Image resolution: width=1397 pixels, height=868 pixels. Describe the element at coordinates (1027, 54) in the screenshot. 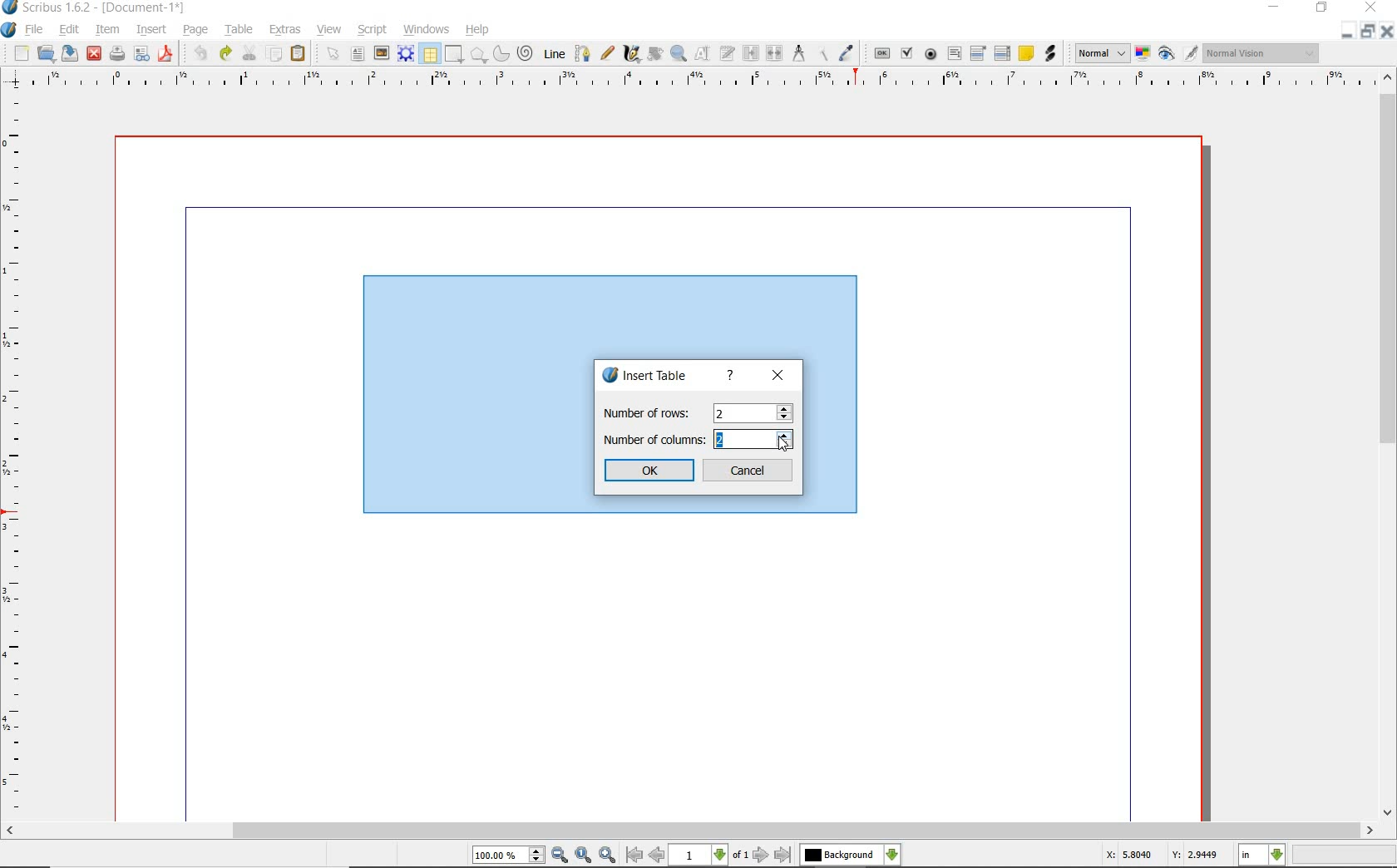

I see `text annotation` at that location.